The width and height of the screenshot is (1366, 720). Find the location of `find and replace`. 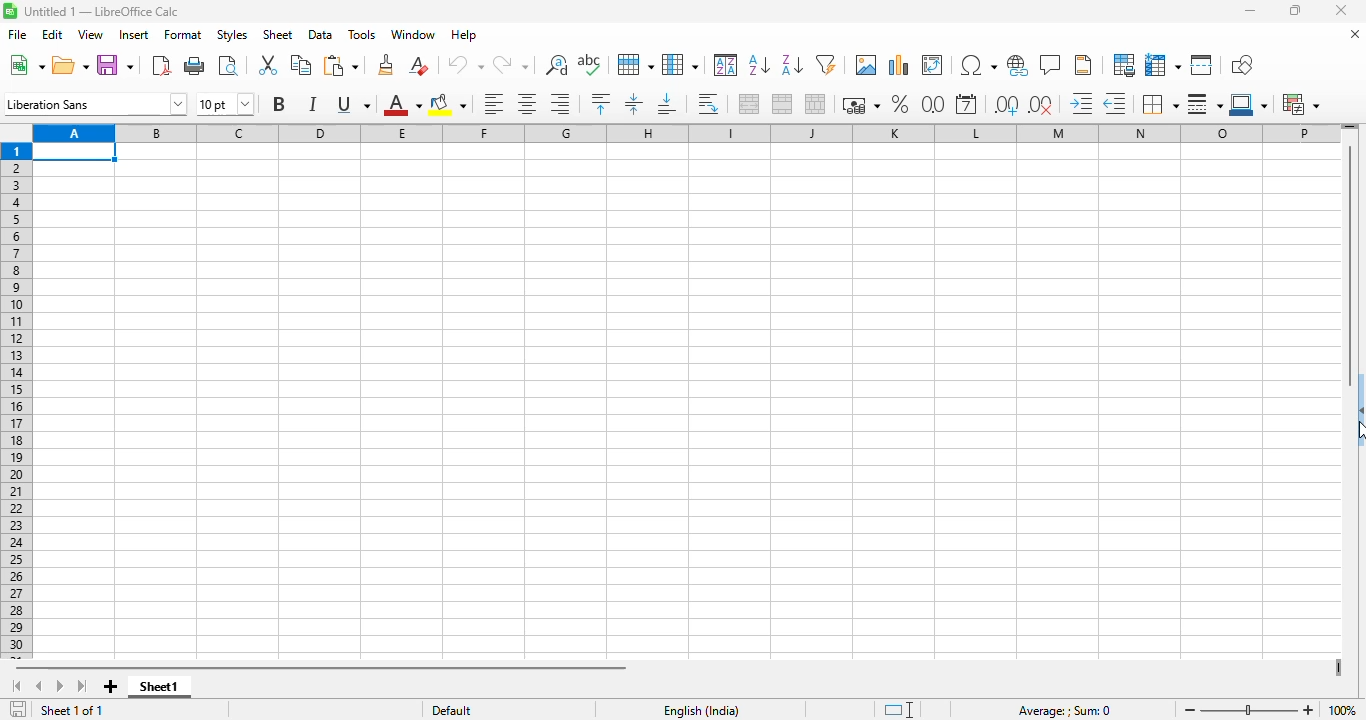

find and replace is located at coordinates (557, 65).